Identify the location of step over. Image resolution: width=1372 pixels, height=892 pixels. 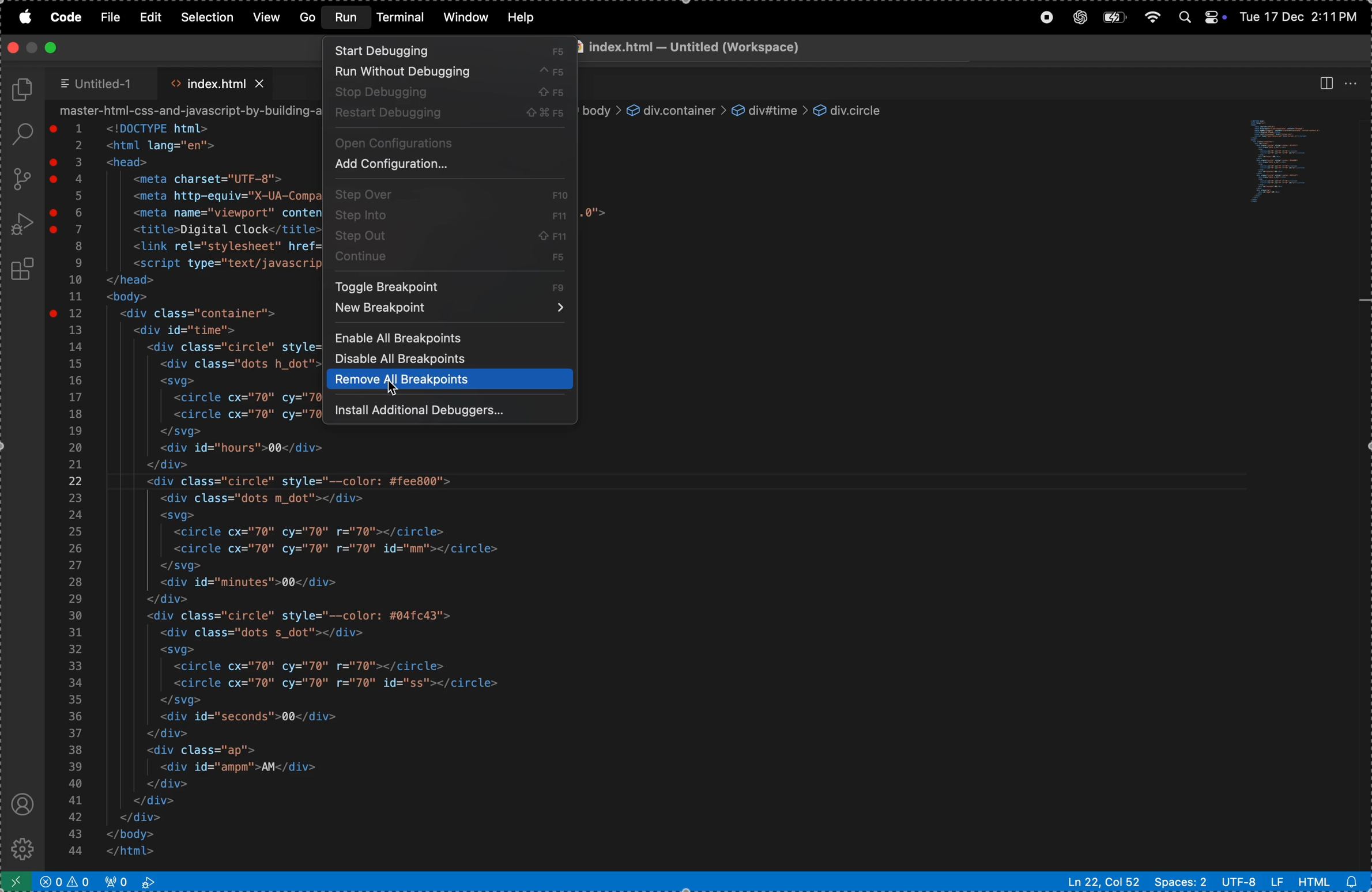
(448, 192).